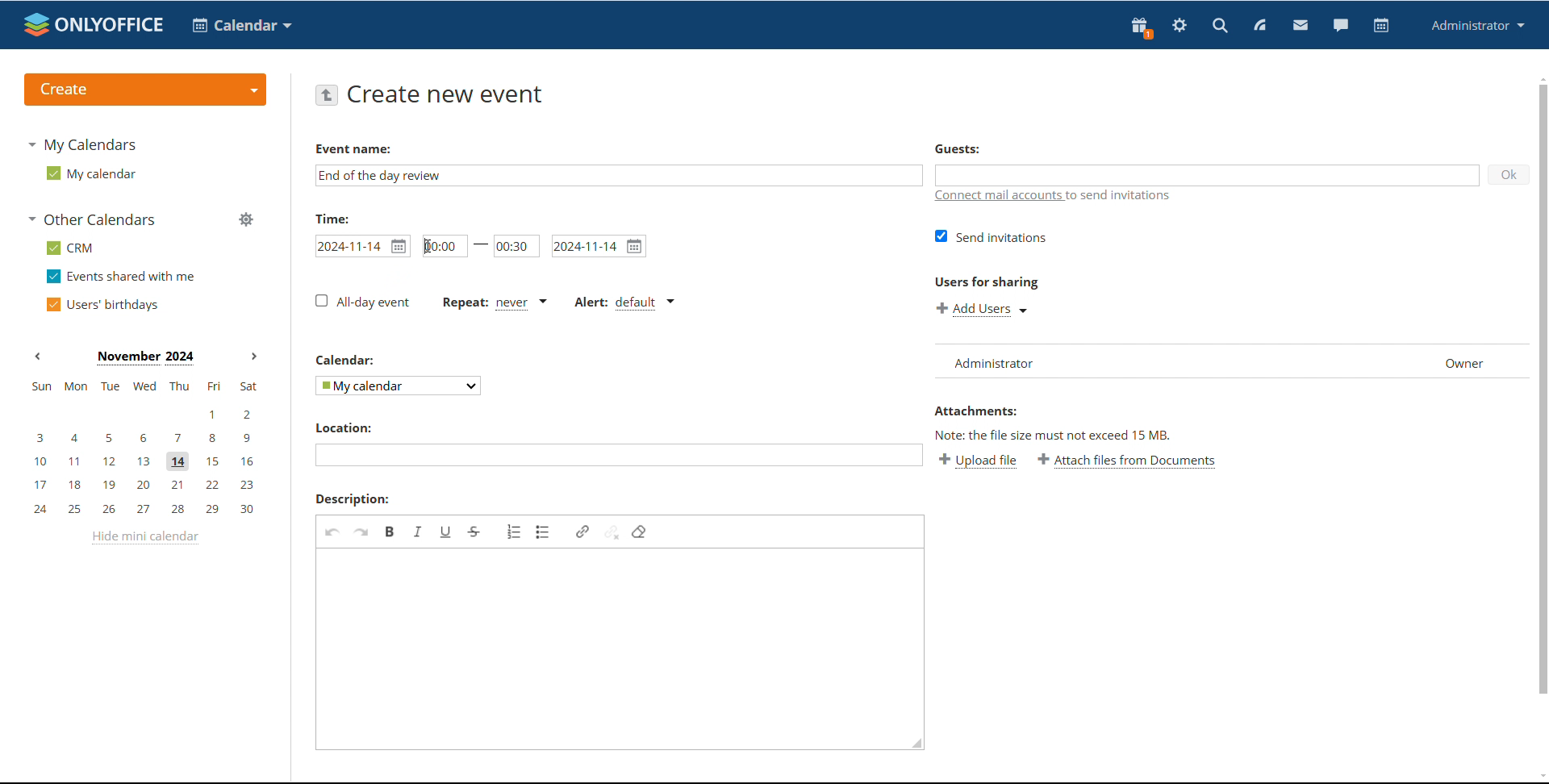 The image size is (1549, 784). What do you see at coordinates (381, 175) in the screenshot?
I see `event name added` at bounding box center [381, 175].